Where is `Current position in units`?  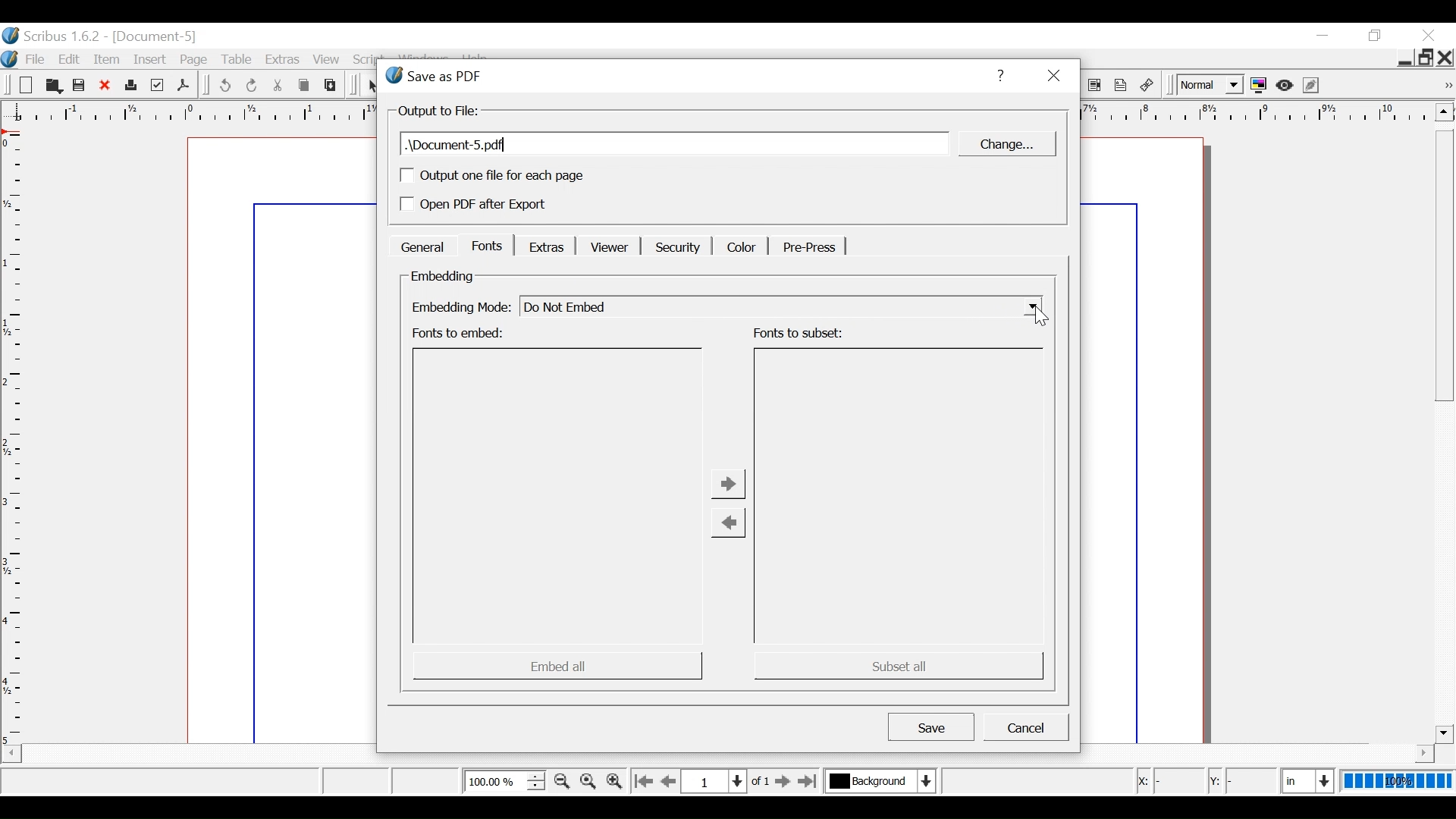 Current position in units is located at coordinates (1309, 779).